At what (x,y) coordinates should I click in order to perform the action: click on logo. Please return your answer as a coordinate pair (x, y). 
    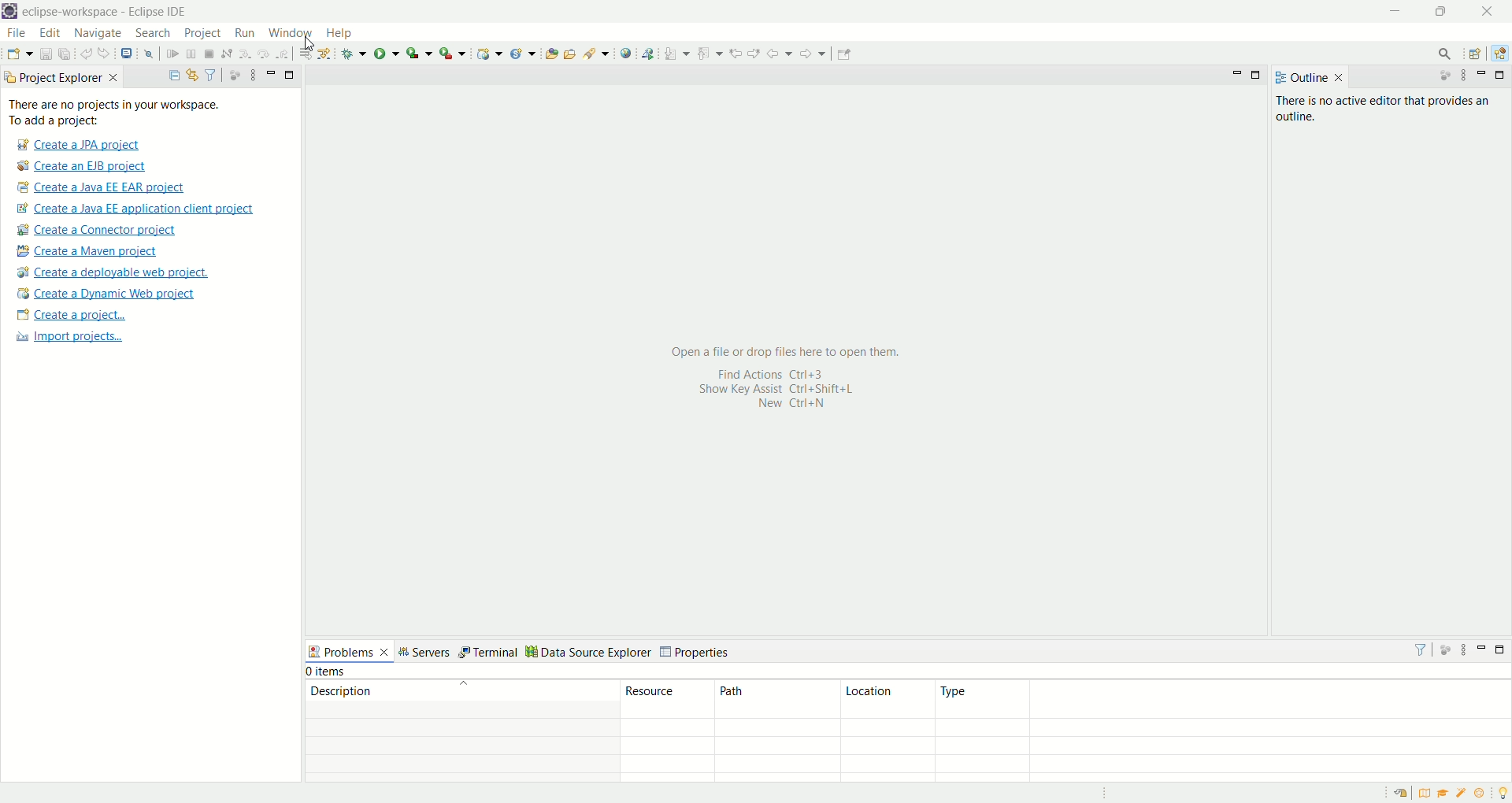
    Looking at the image, I should click on (9, 11).